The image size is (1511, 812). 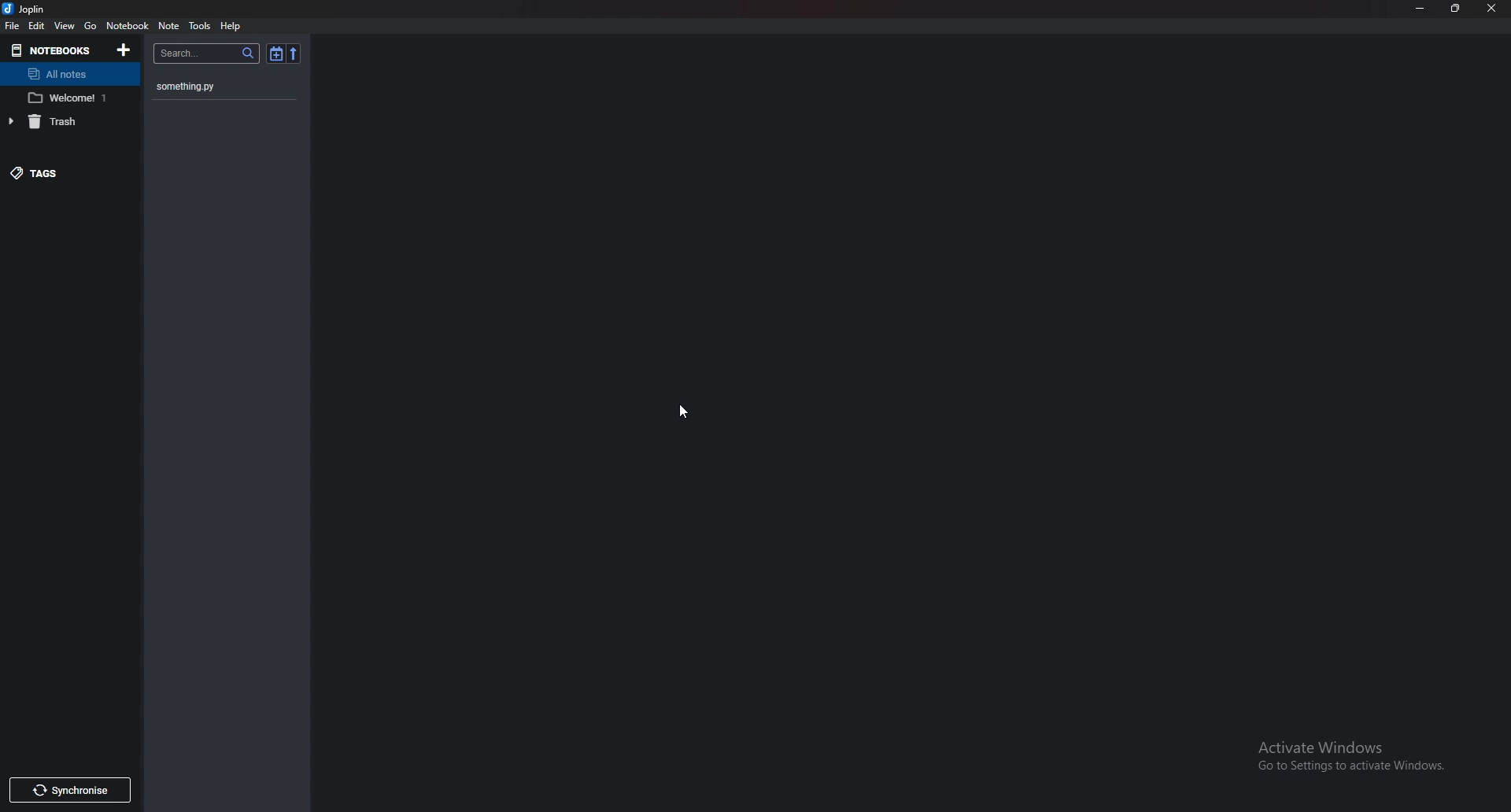 I want to click on close, so click(x=1488, y=7).